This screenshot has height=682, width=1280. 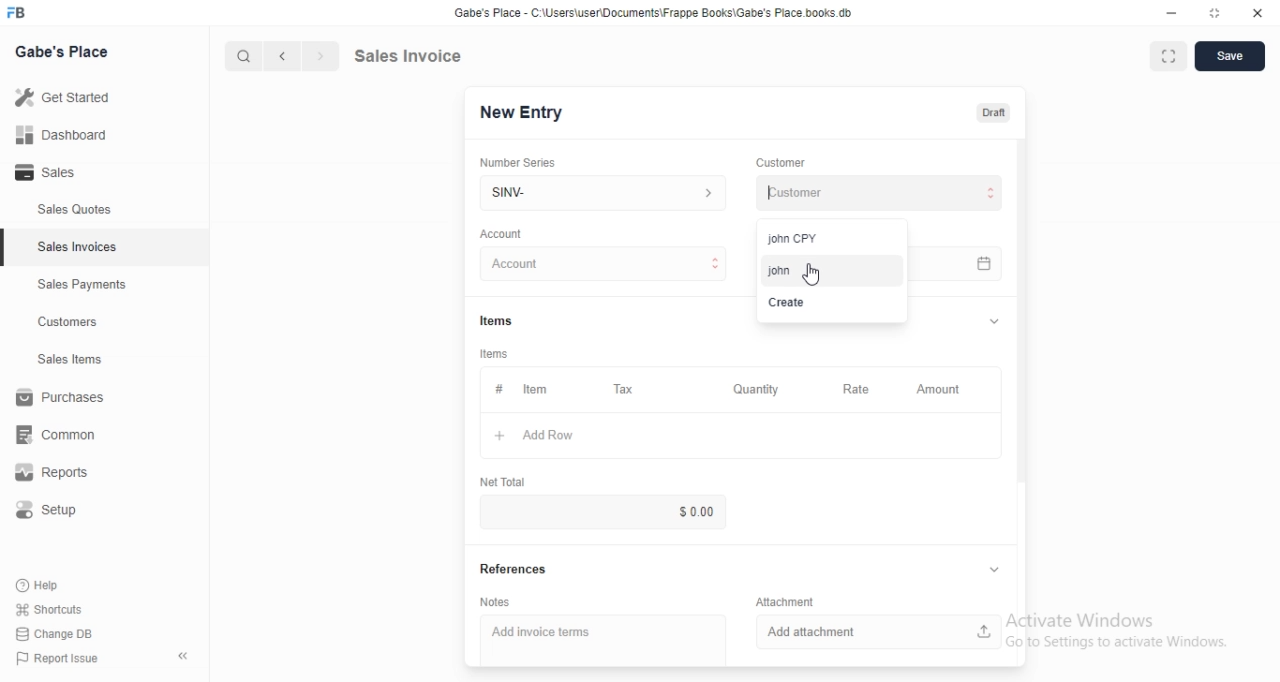 I want to click on , so click(x=498, y=389).